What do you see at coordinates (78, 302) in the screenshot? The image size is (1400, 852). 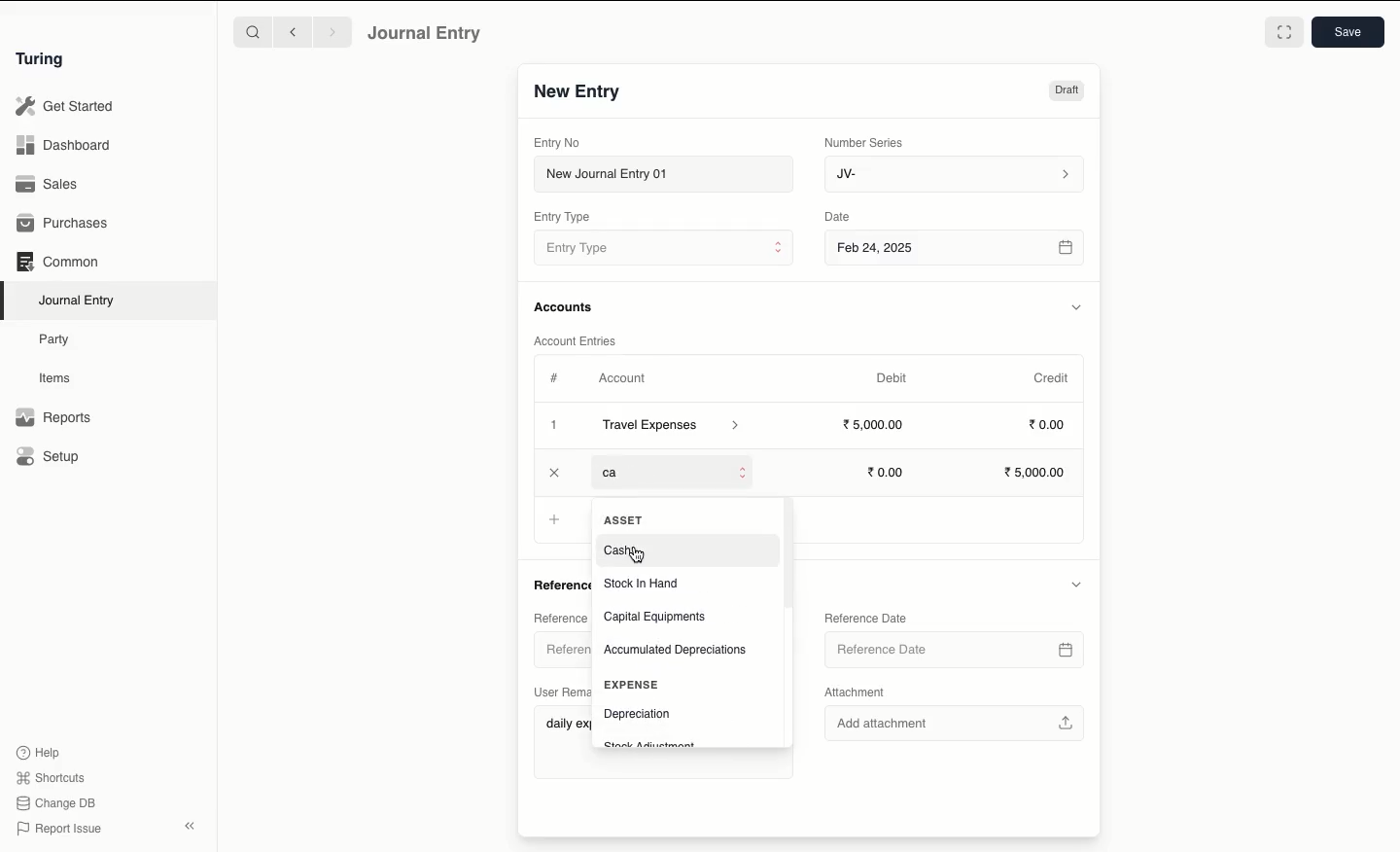 I see `Journal Entry` at bounding box center [78, 302].